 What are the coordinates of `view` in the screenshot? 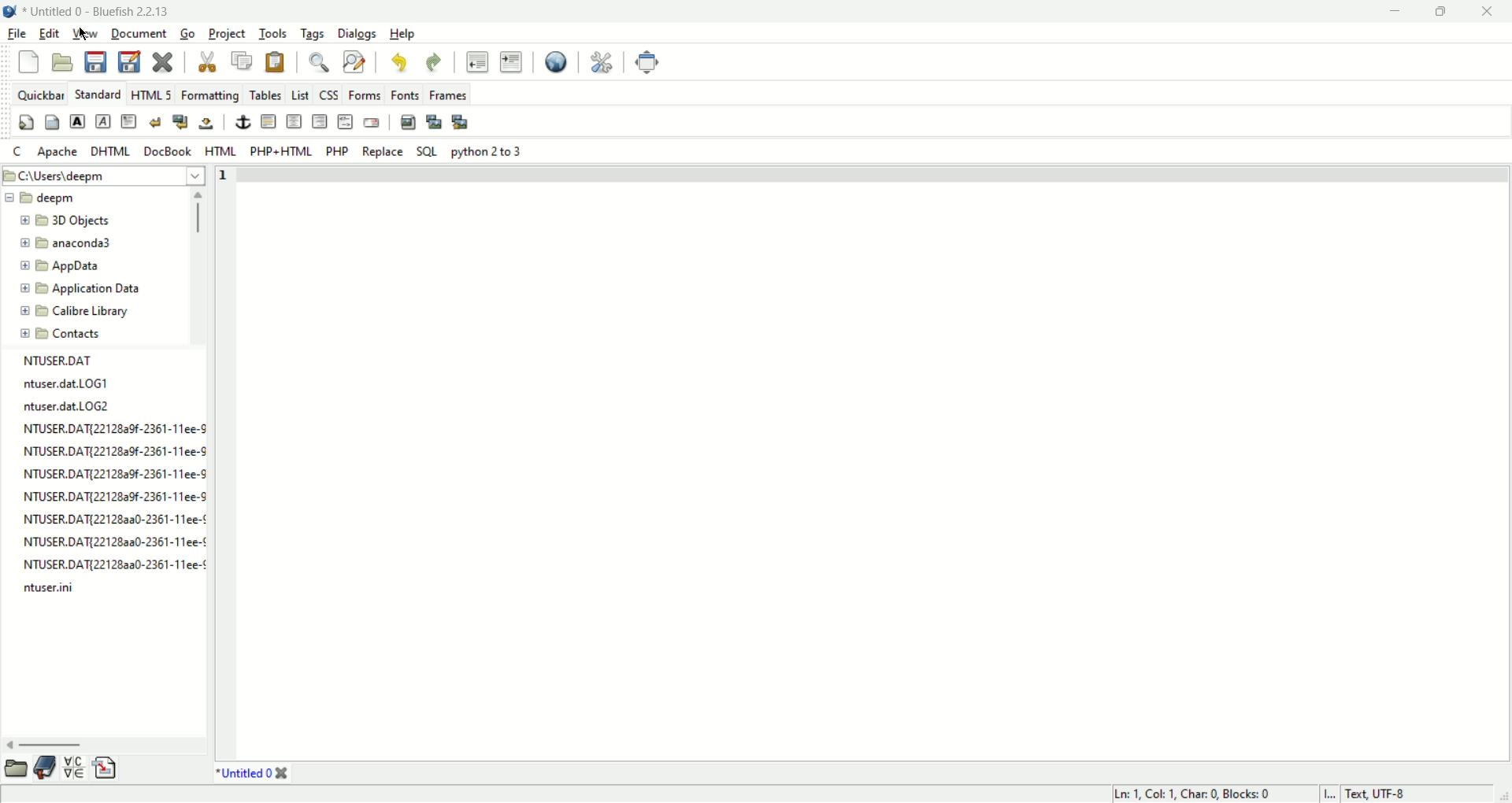 It's located at (83, 34).